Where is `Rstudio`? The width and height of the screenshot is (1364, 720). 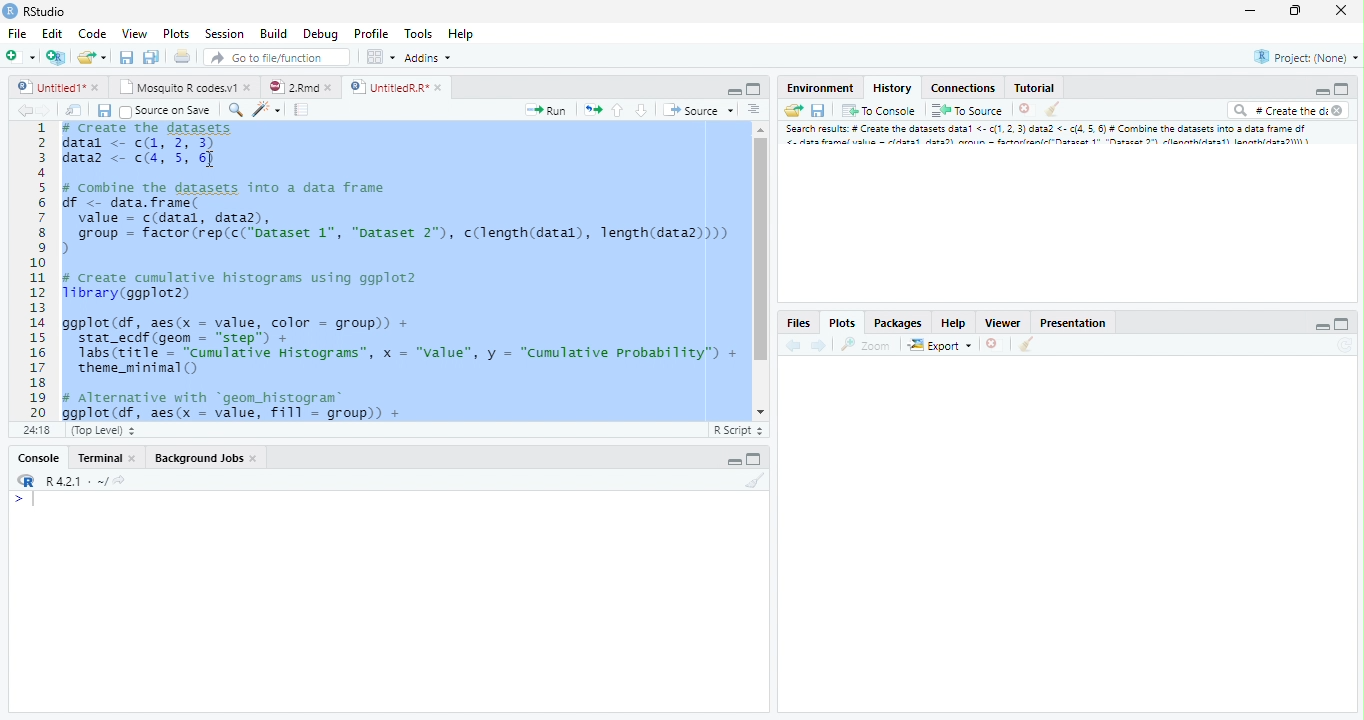 Rstudio is located at coordinates (34, 10).